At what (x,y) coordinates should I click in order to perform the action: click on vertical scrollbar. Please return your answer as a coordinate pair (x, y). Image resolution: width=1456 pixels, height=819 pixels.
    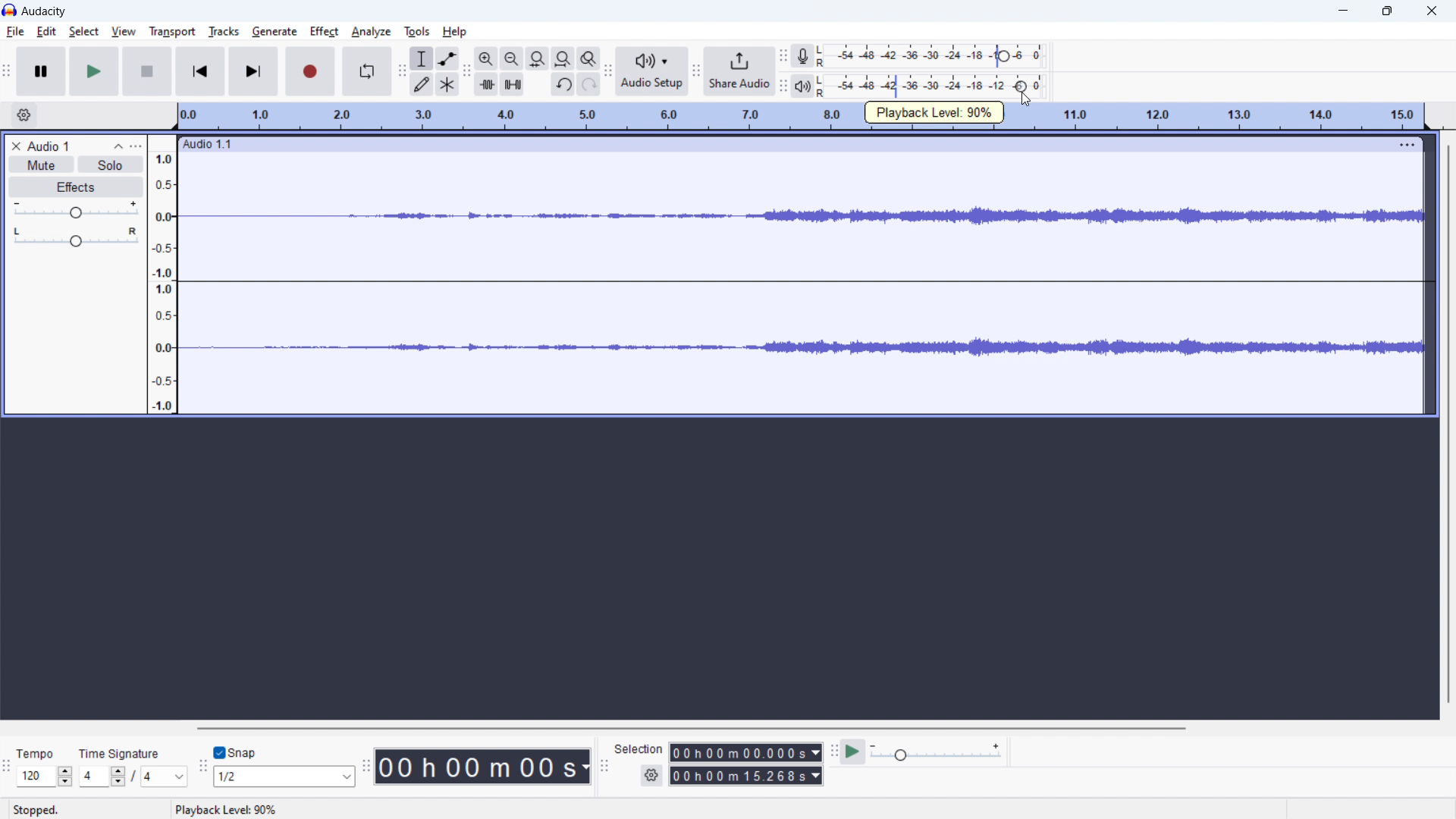
    Looking at the image, I should click on (1447, 422).